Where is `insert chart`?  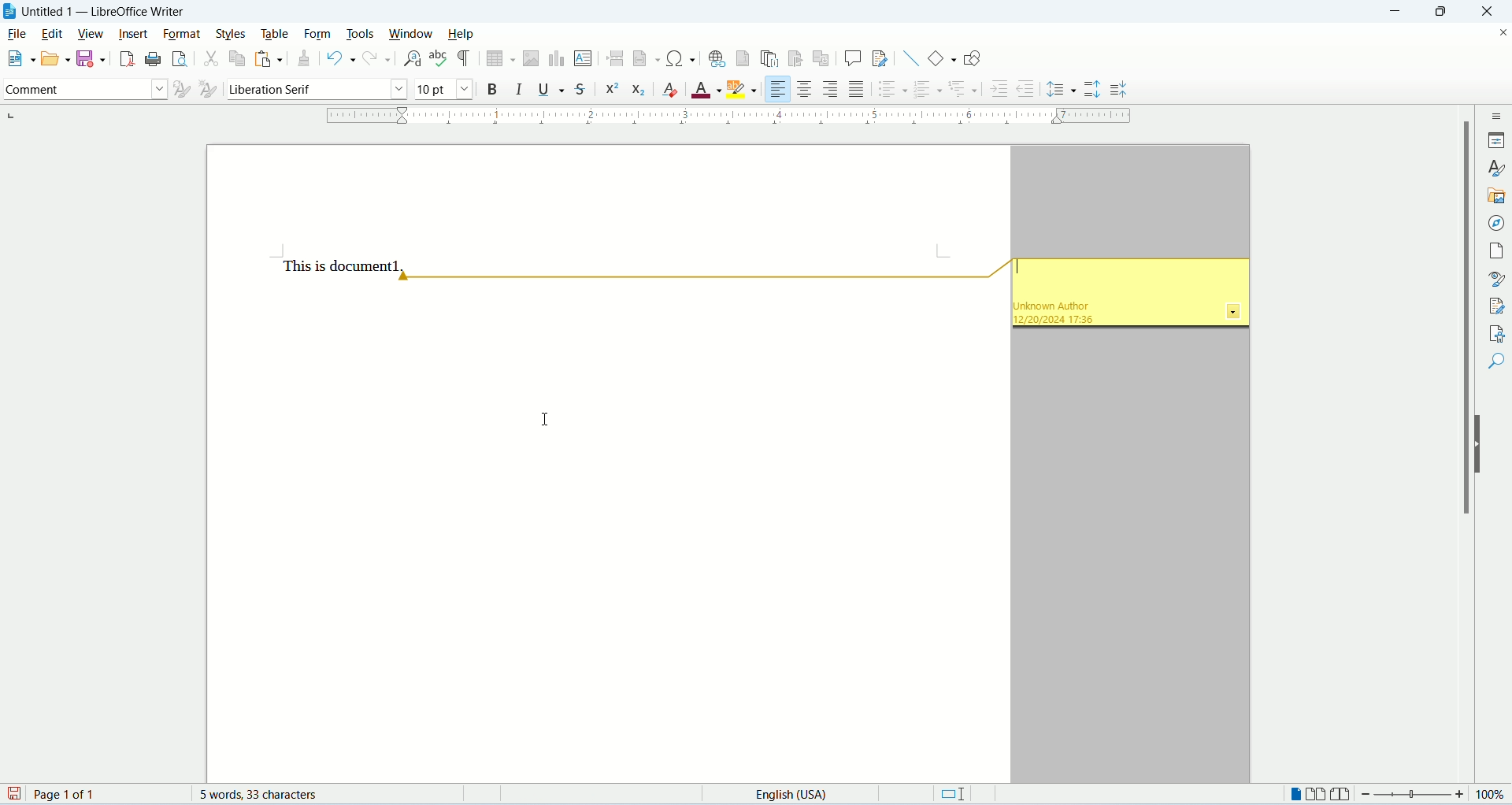 insert chart is located at coordinates (556, 58).